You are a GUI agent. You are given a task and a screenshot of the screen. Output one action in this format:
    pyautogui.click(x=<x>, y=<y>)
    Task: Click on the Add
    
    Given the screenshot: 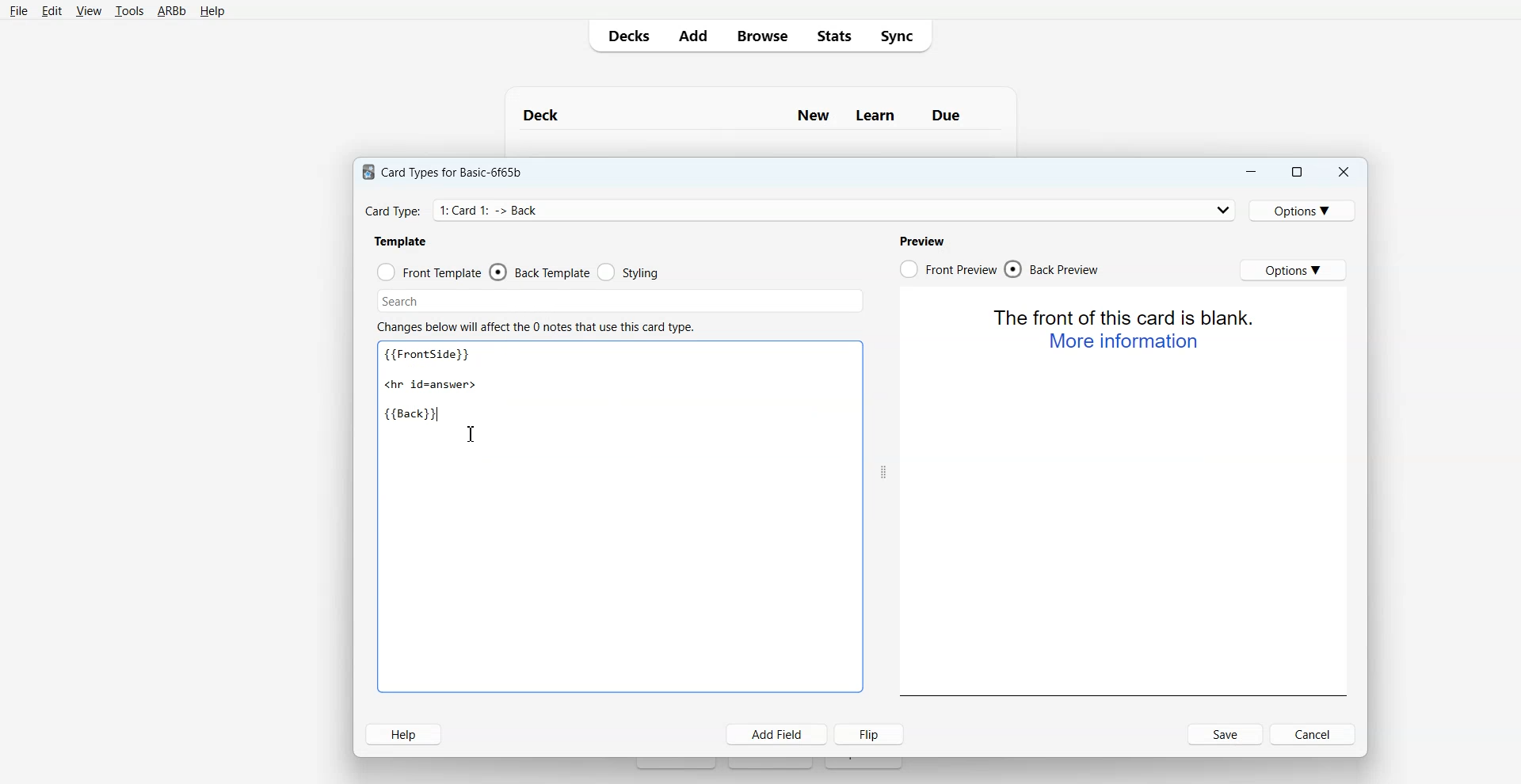 What is the action you would take?
    pyautogui.click(x=692, y=36)
    